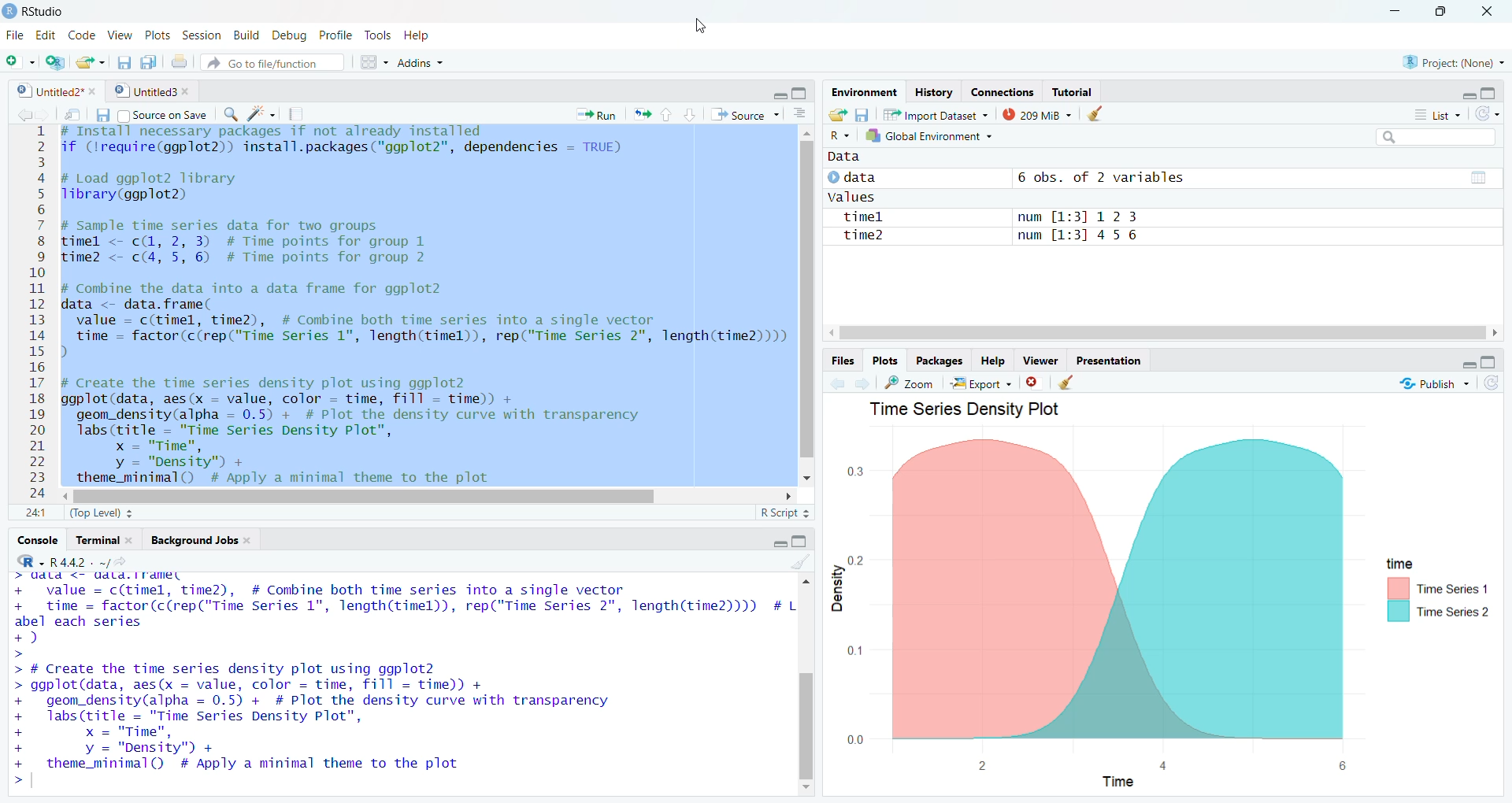 The width and height of the screenshot is (1512, 803). What do you see at coordinates (806, 686) in the screenshot?
I see `Scroll` at bounding box center [806, 686].